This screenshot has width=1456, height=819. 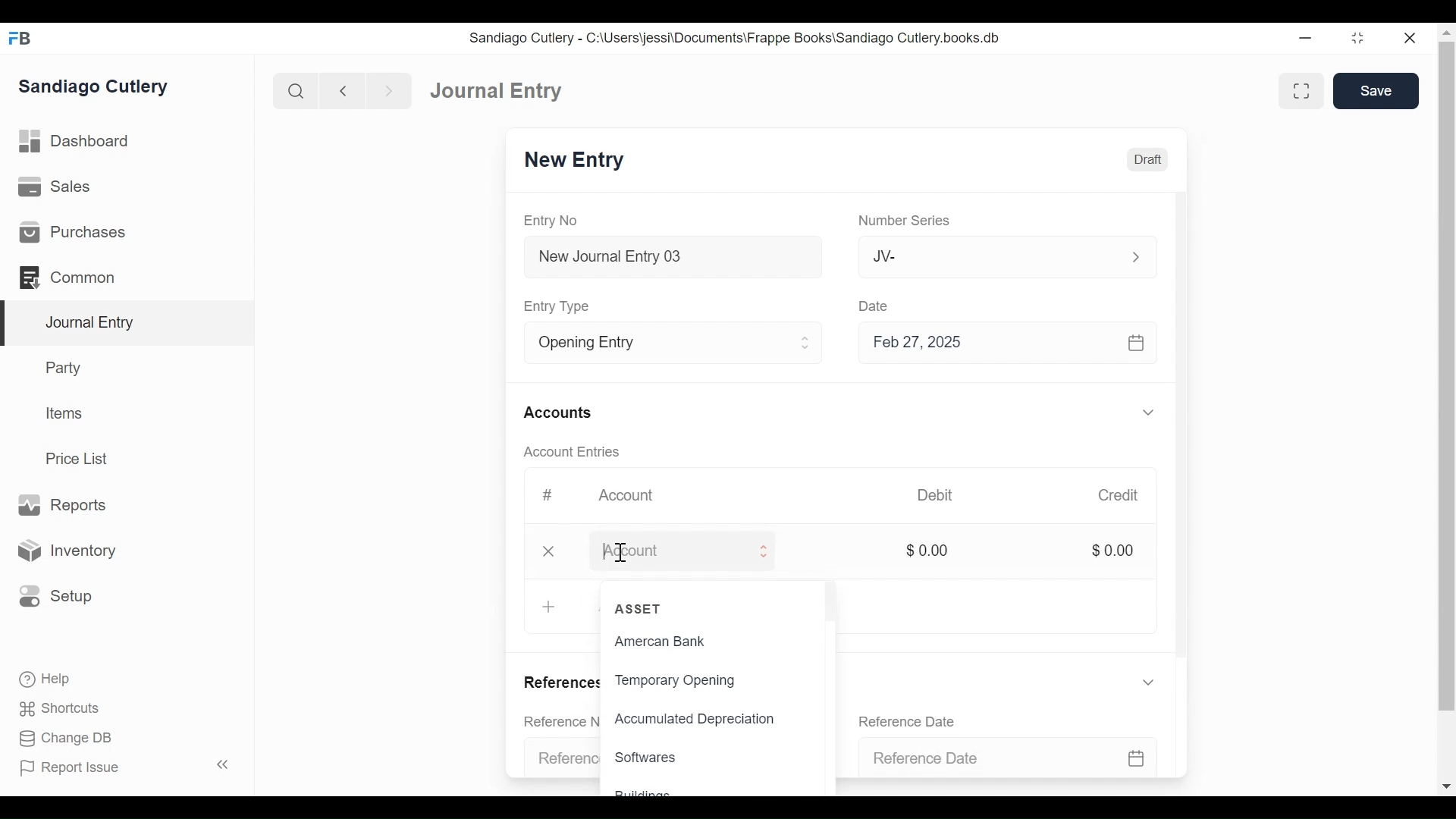 What do you see at coordinates (1302, 91) in the screenshot?
I see `Toggle between form and full width` at bounding box center [1302, 91].